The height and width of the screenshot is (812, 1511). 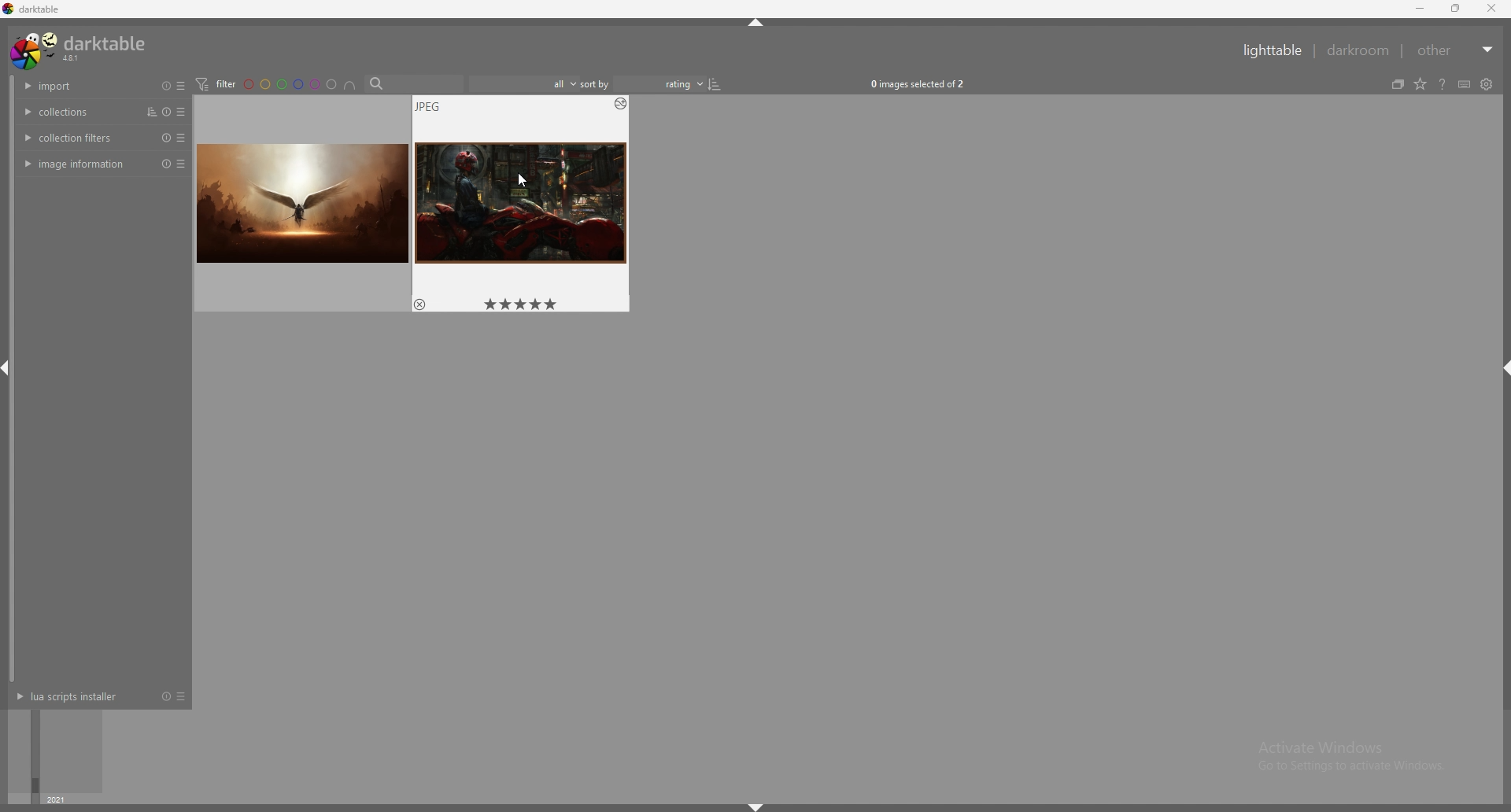 What do you see at coordinates (290, 85) in the screenshot?
I see `color filter` at bounding box center [290, 85].